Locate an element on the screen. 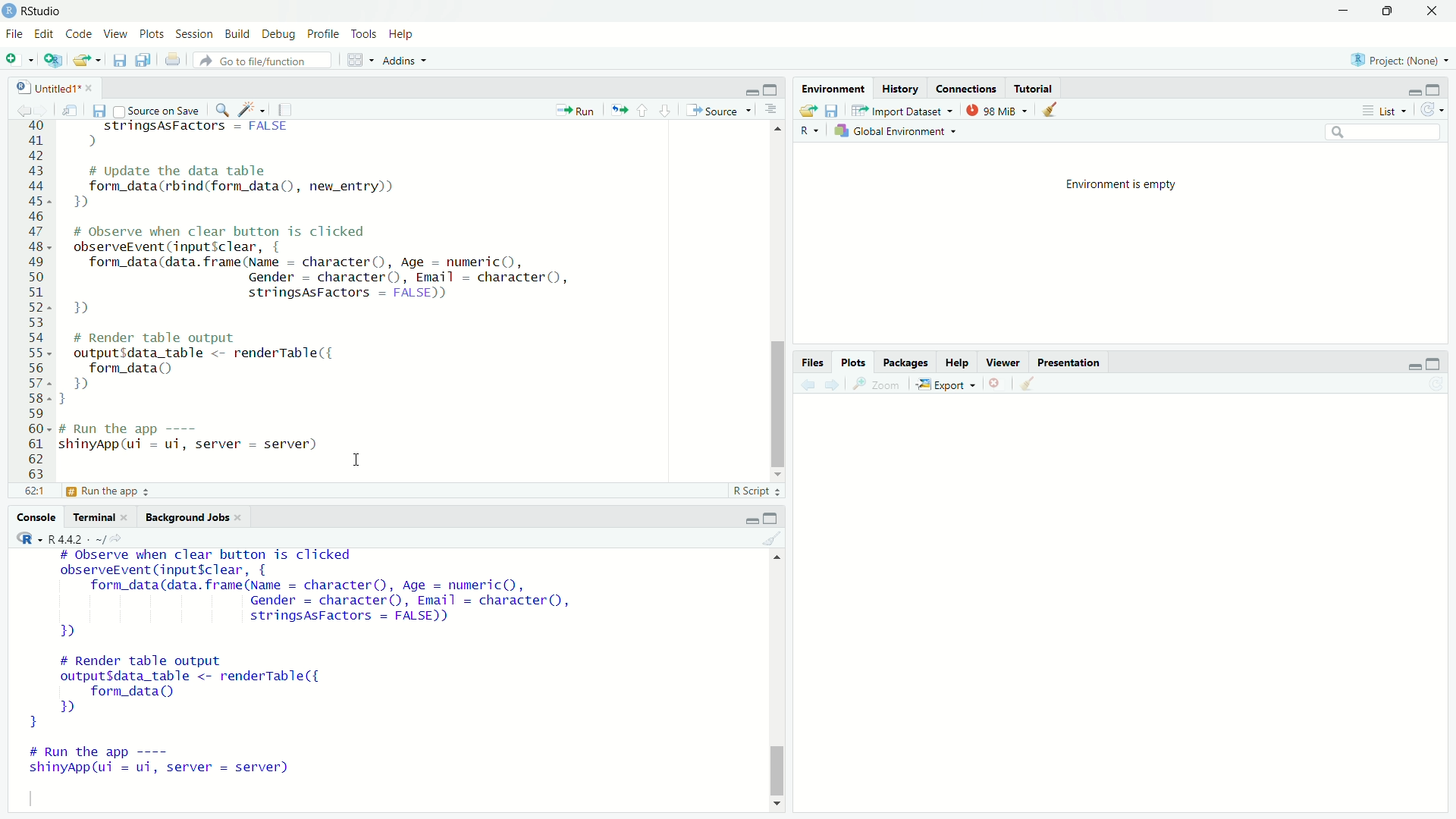 The height and width of the screenshot is (819, 1456). environment is located at coordinates (832, 87).